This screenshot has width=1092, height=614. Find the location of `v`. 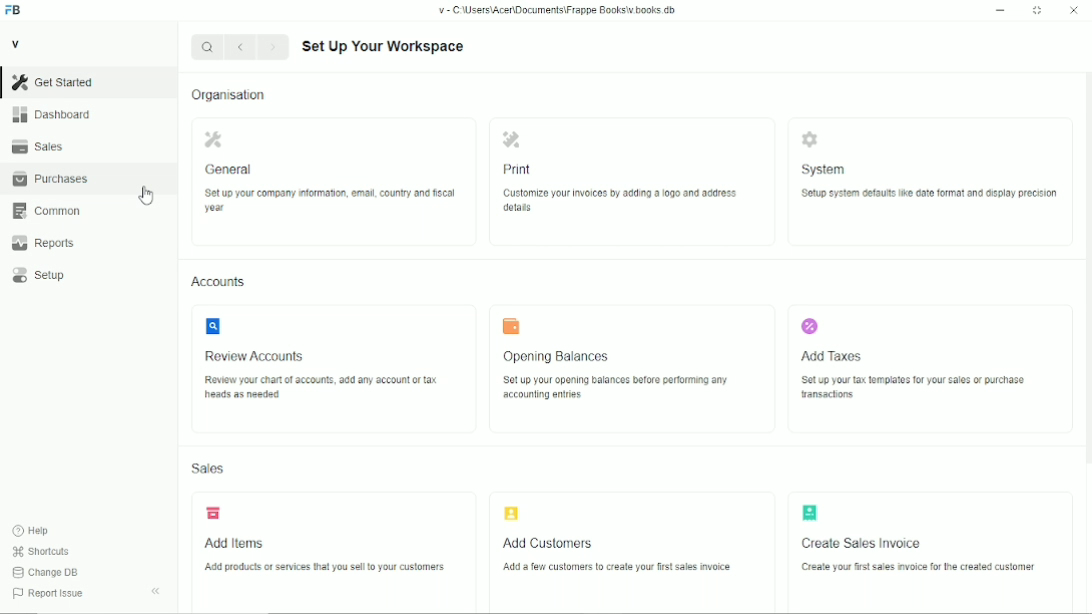

v is located at coordinates (21, 45).